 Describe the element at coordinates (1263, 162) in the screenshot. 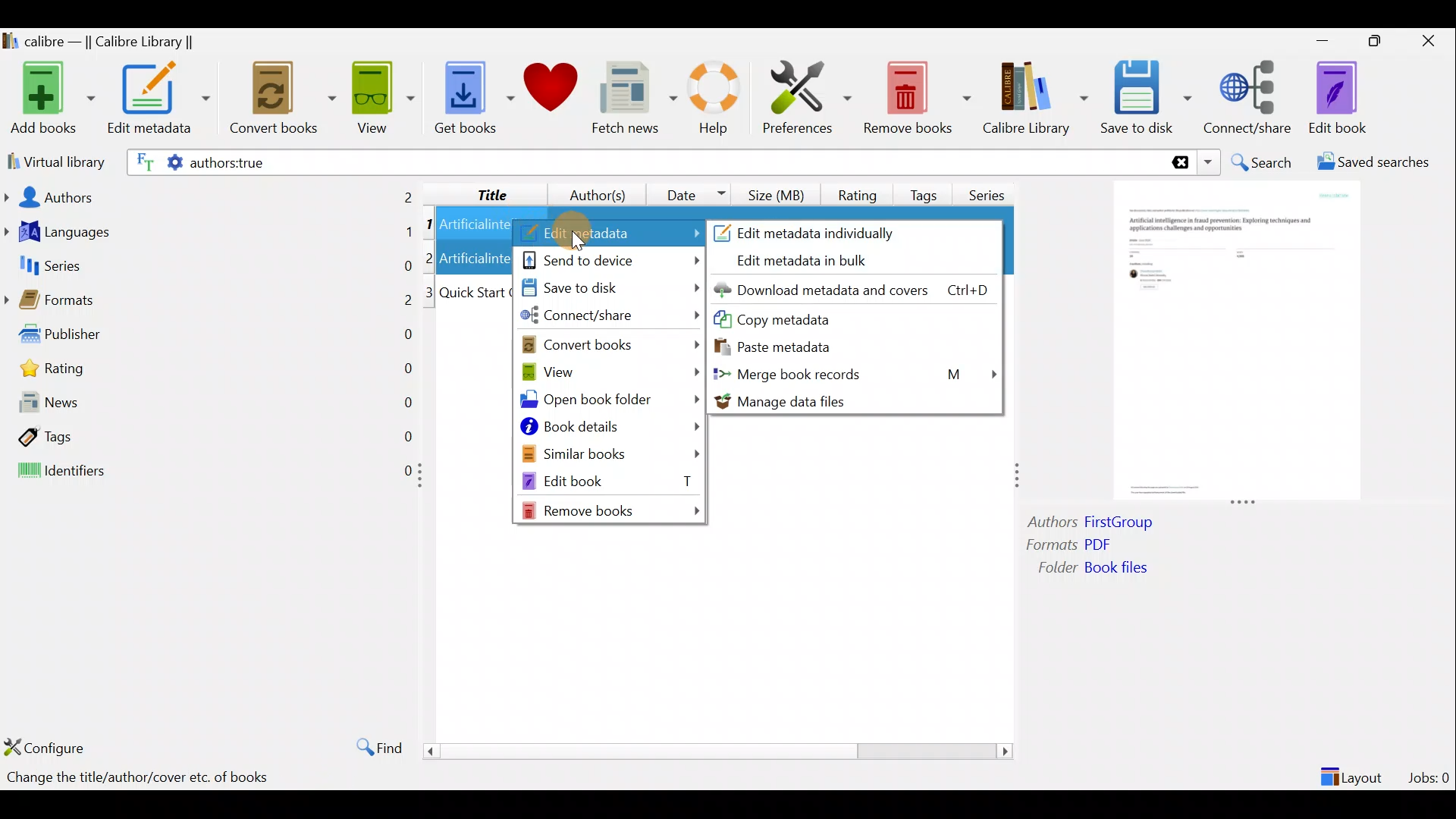

I see `Search` at that location.